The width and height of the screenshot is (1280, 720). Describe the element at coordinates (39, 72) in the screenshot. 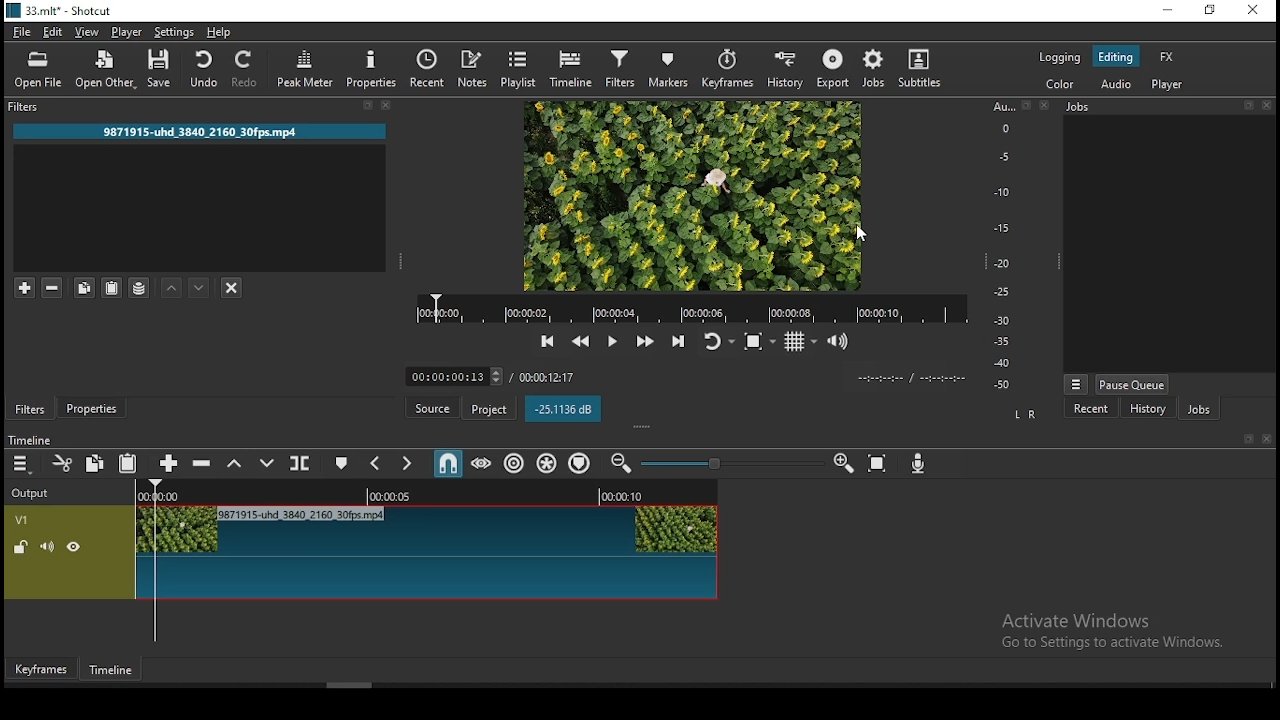

I see `open file` at that location.